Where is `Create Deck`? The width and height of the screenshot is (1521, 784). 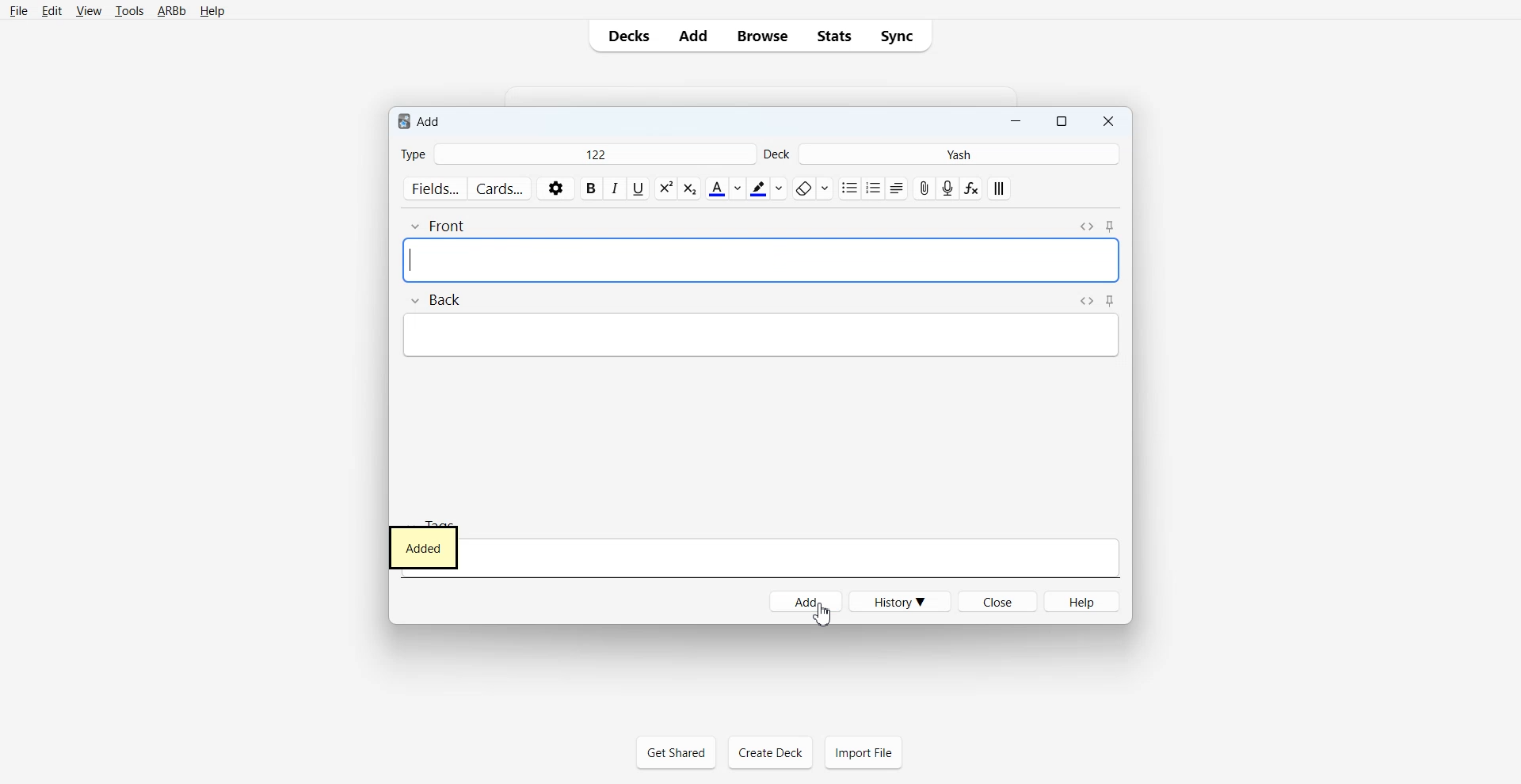 Create Deck is located at coordinates (770, 752).